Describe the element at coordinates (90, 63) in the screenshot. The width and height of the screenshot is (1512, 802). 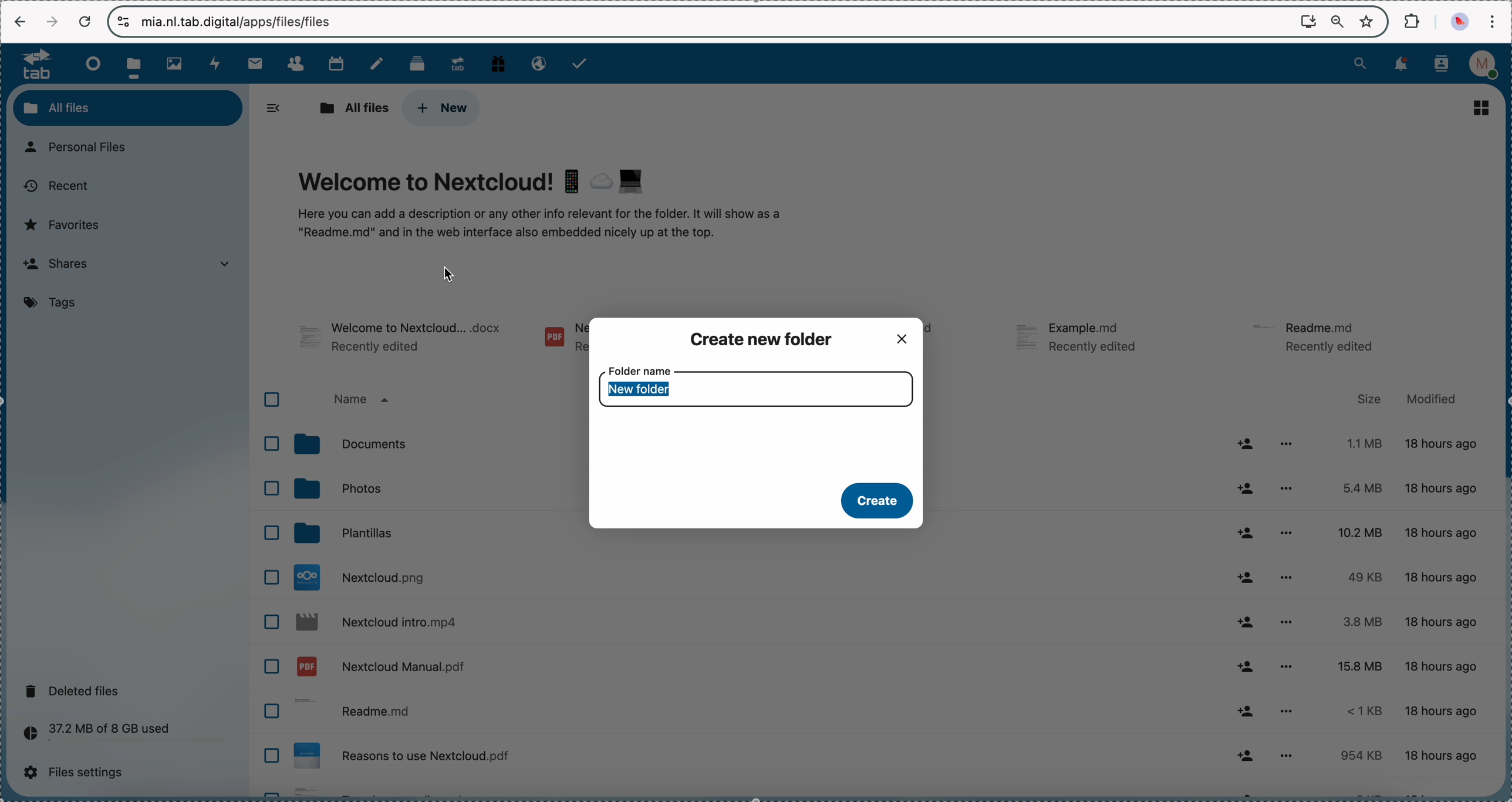
I see `dashboard` at that location.